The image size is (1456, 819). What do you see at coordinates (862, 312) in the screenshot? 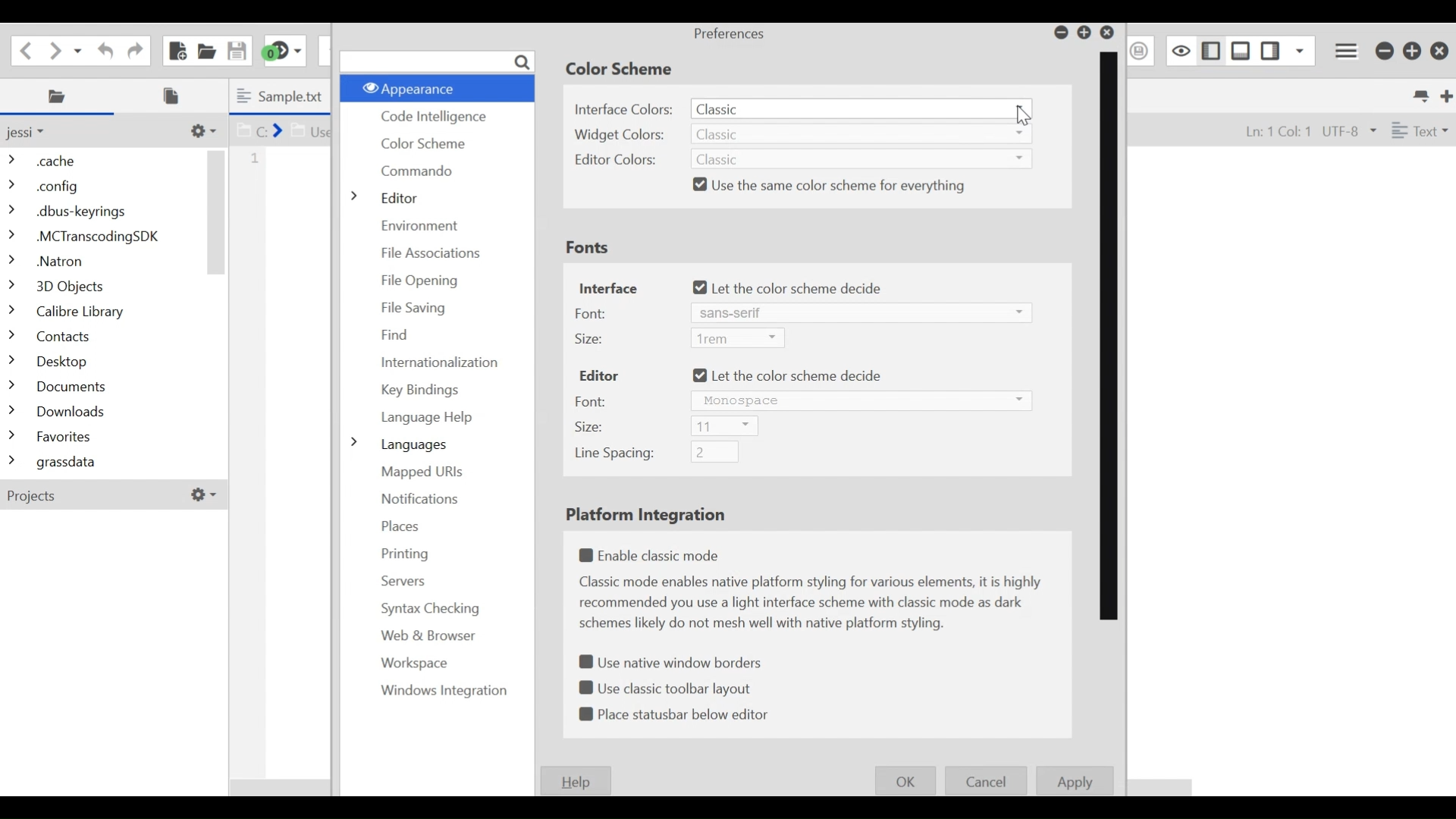
I see `Font dropdown menu` at bounding box center [862, 312].